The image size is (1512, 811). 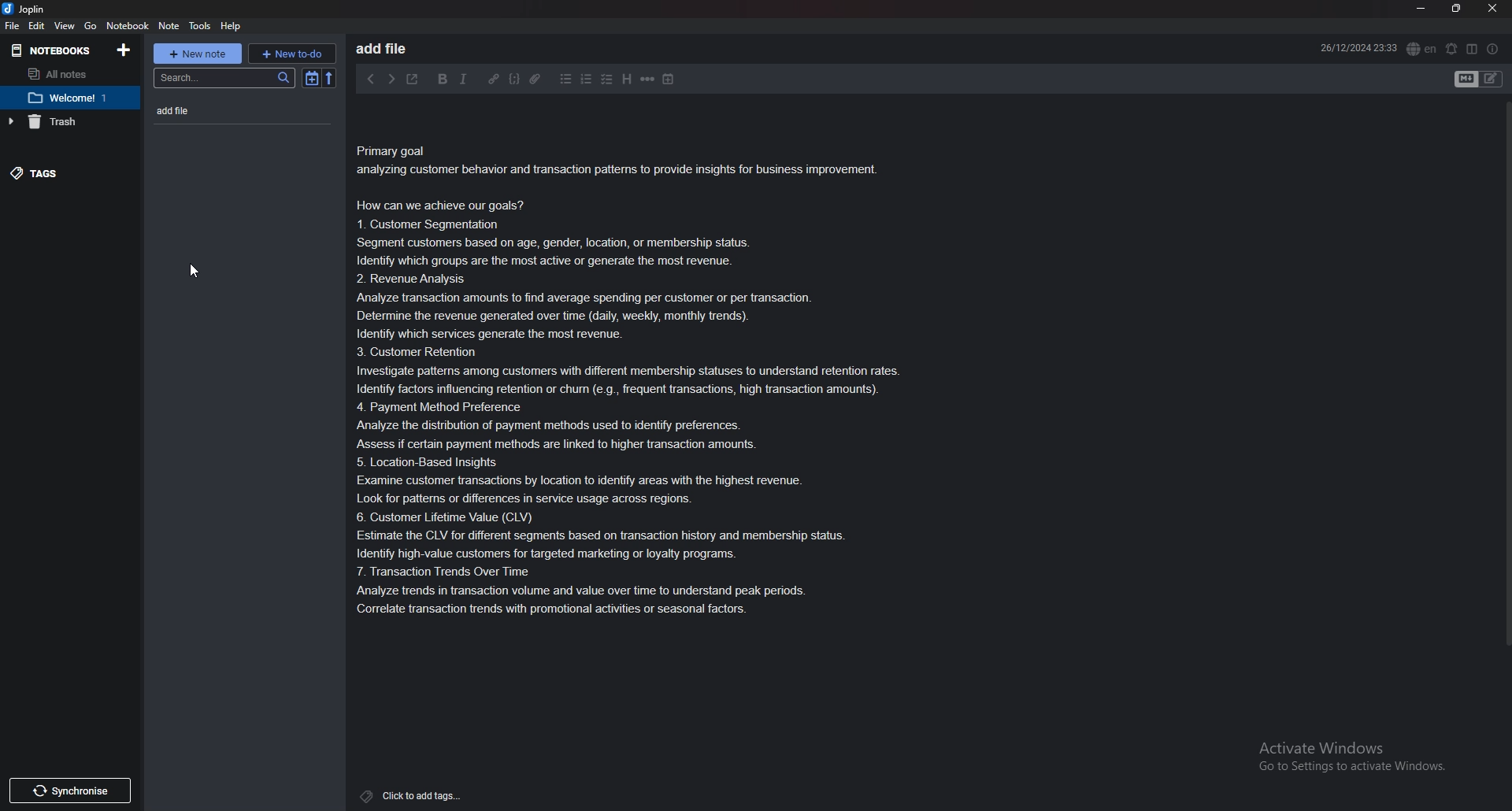 What do you see at coordinates (608, 80) in the screenshot?
I see `Checkbox` at bounding box center [608, 80].